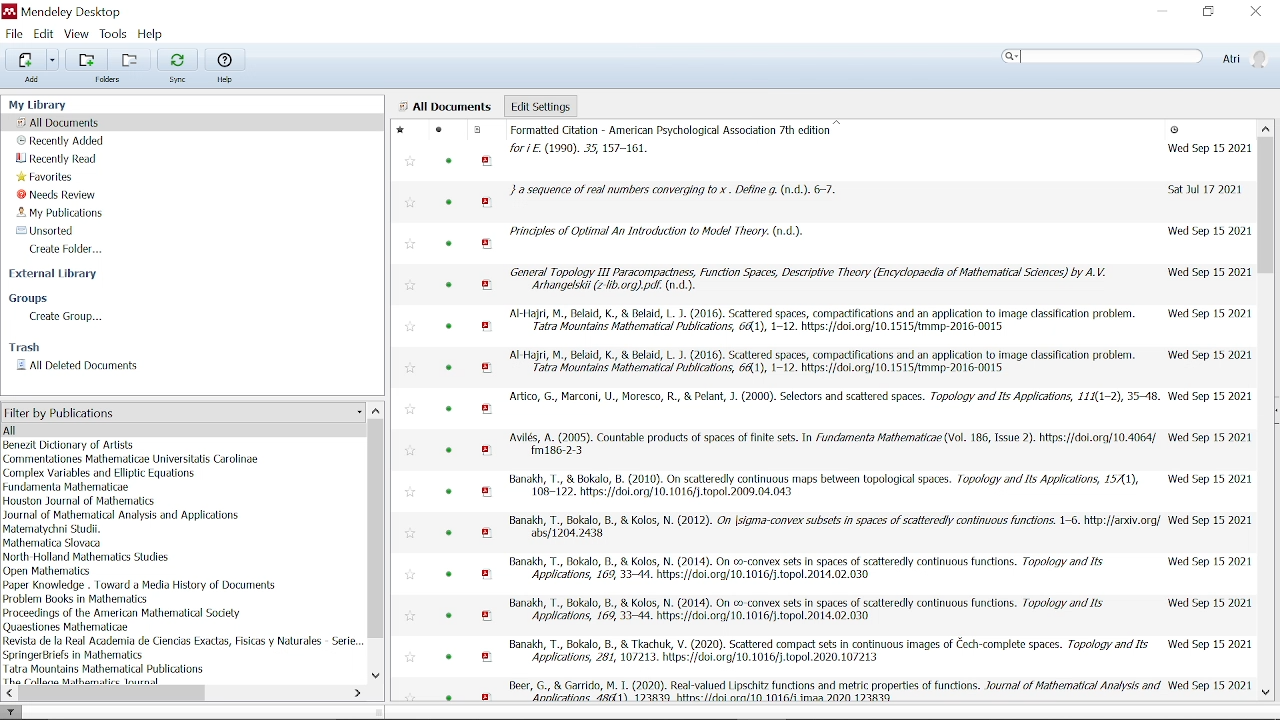  What do you see at coordinates (448, 409) in the screenshot?
I see `status` at bounding box center [448, 409].